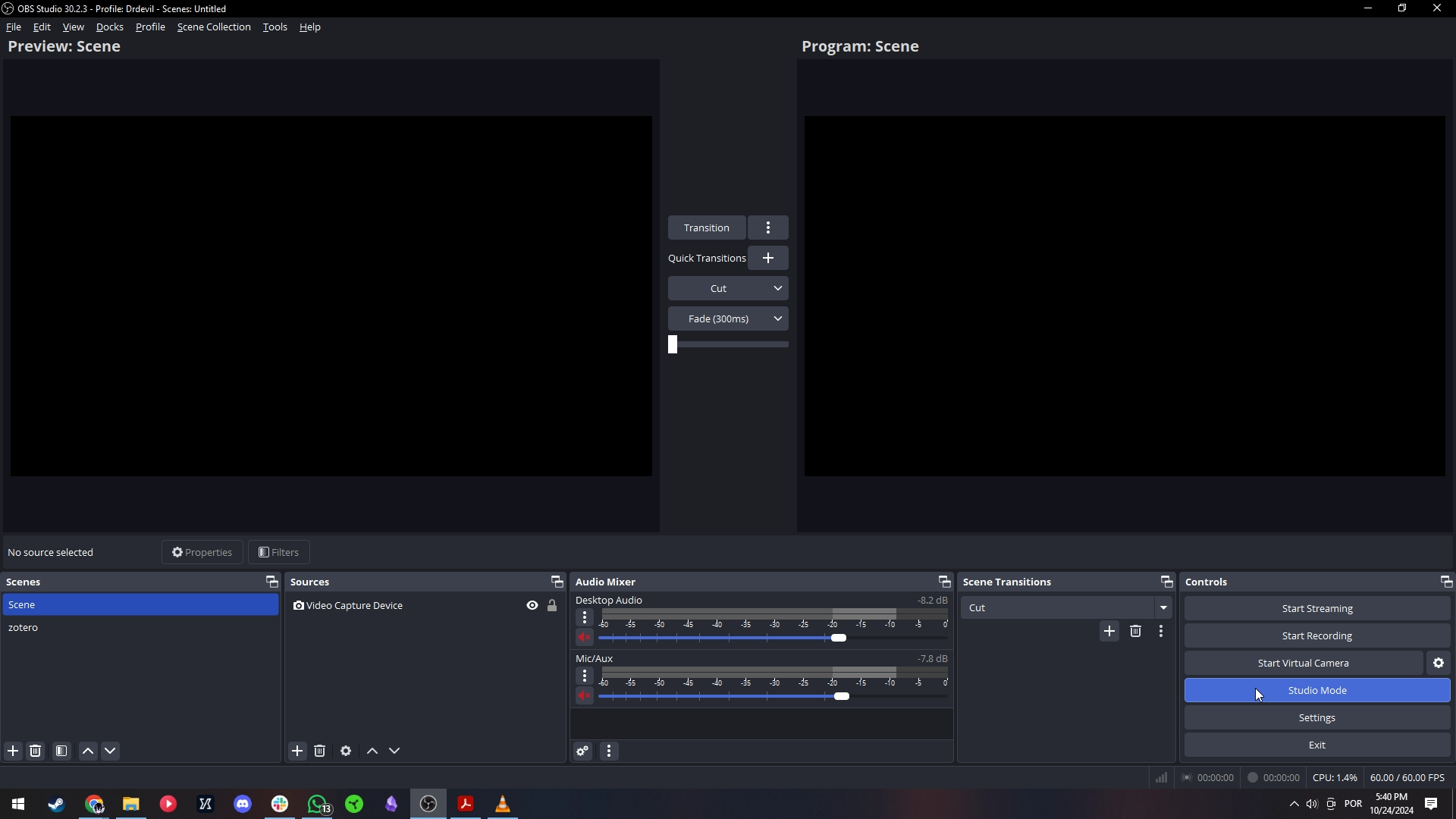 Image resolution: width=1456 pixels, height=819 pixels. I want to click on zotero, so click(142, 626).